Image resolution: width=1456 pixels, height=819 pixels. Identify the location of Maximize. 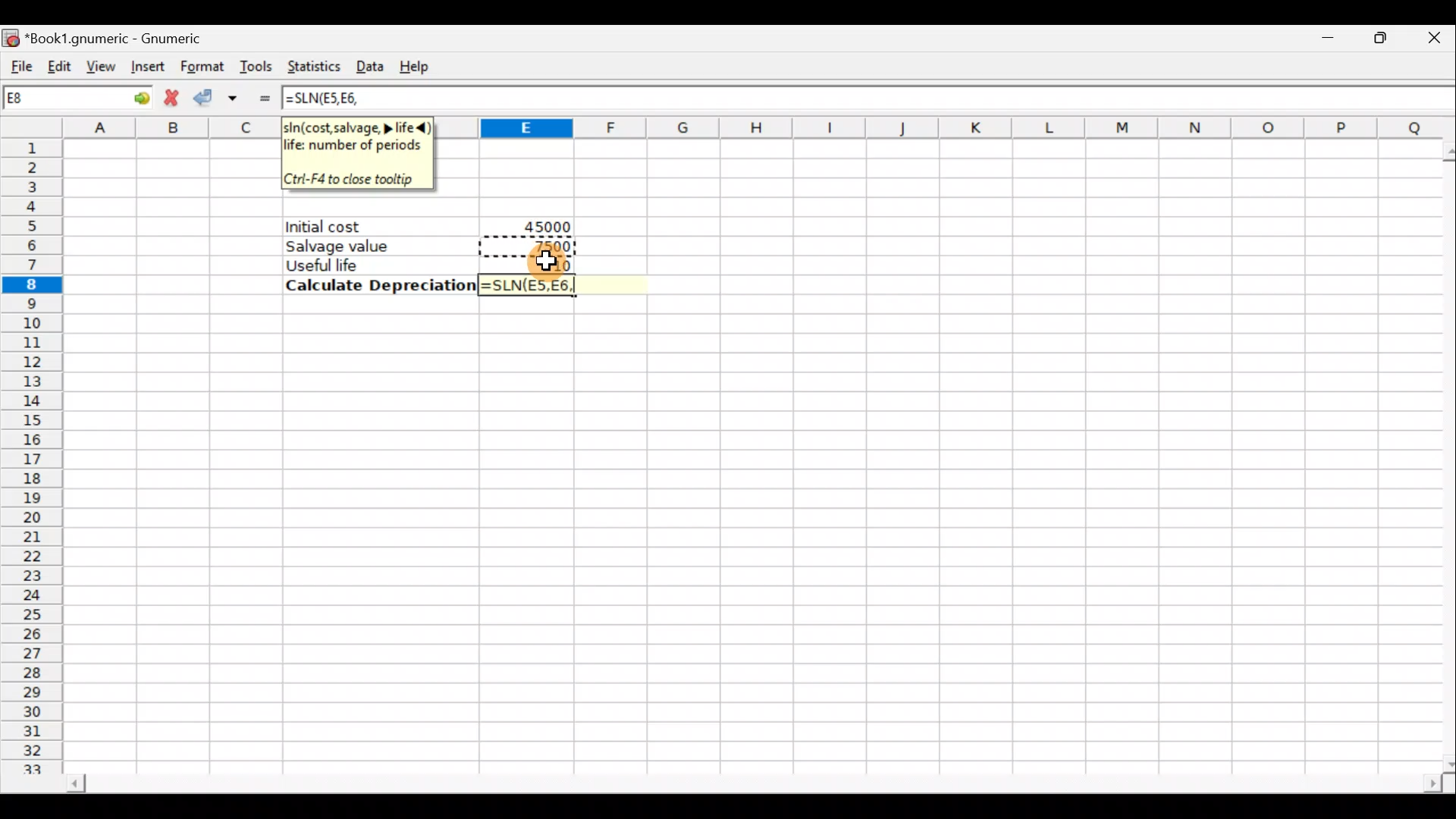
(1373, 41).